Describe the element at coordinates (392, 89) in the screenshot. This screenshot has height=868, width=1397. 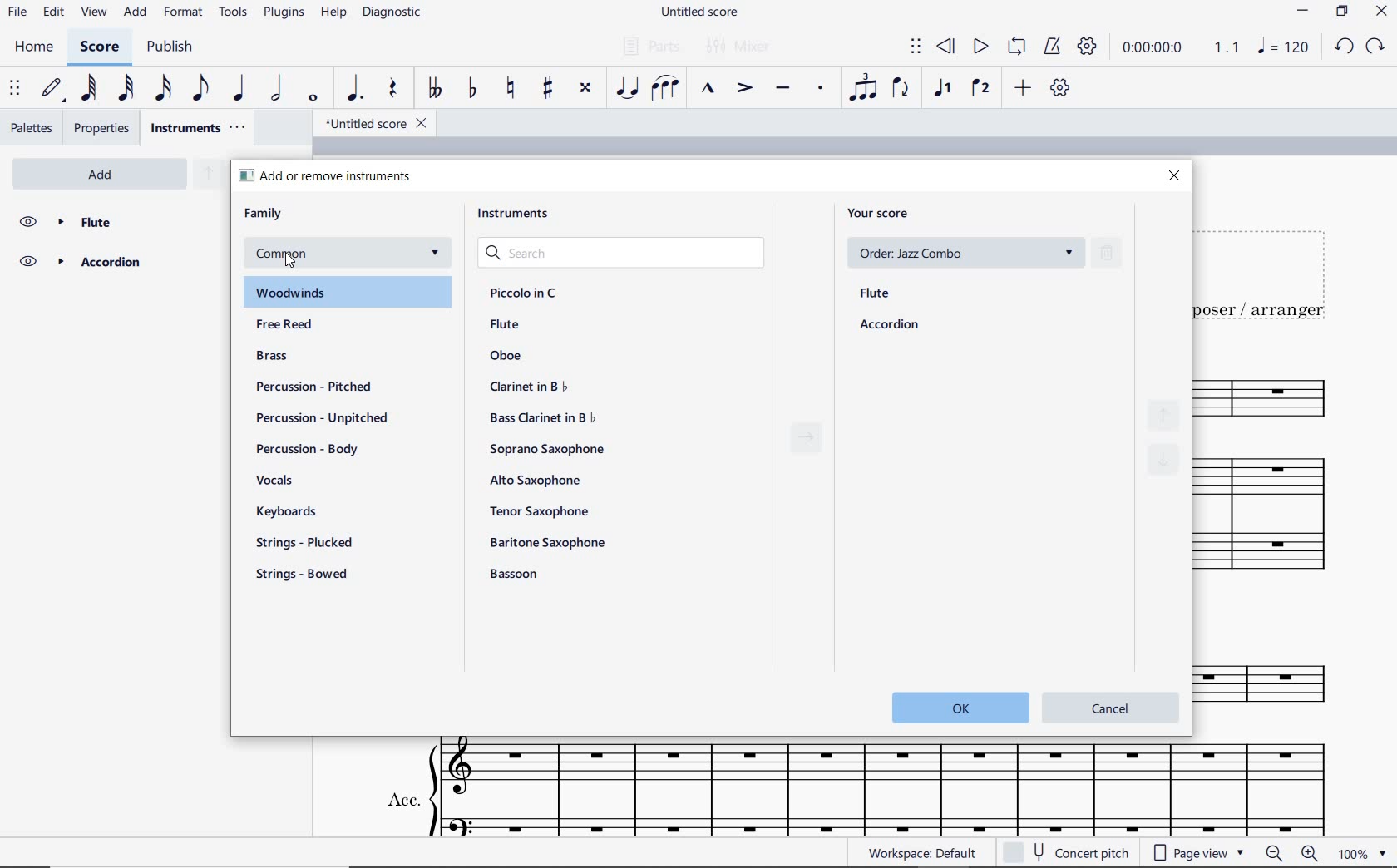
I see `rest` at that location.